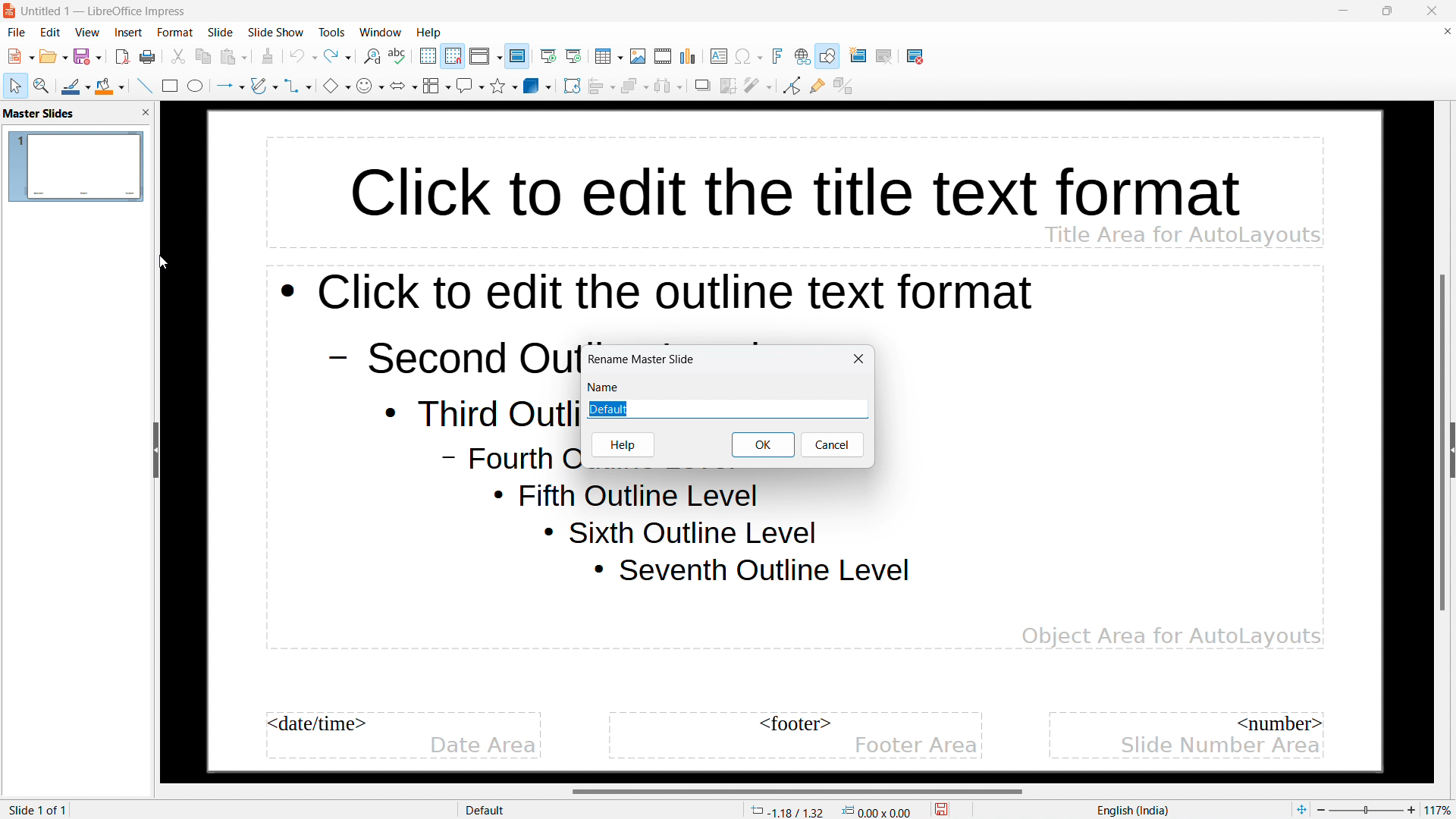 Image resolution: width=1456 pixels, height=819 pixels. I want to click on insert audio or video, so click(664, 57).